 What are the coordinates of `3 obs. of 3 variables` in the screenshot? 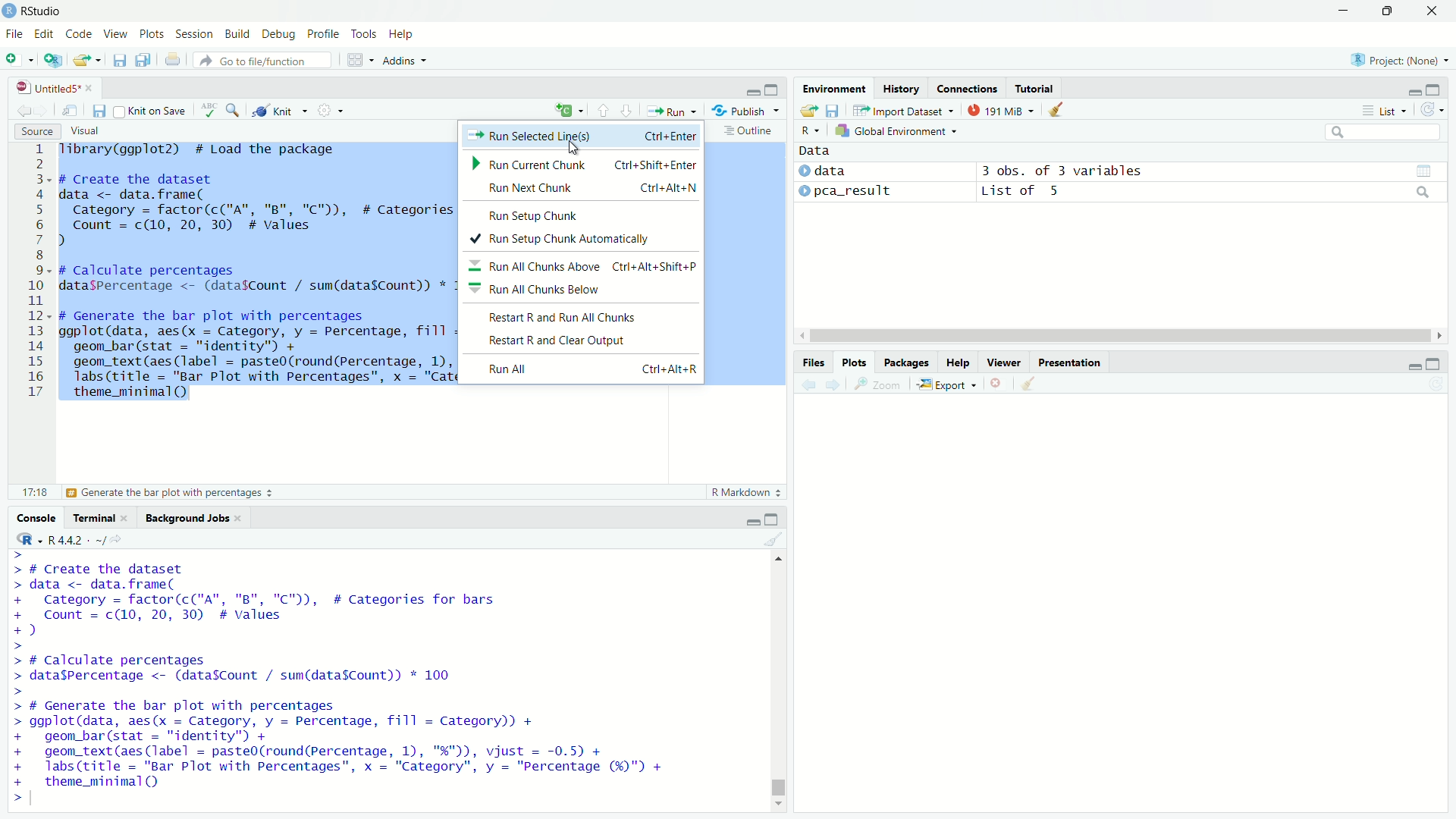 It's located at (1211, 171).